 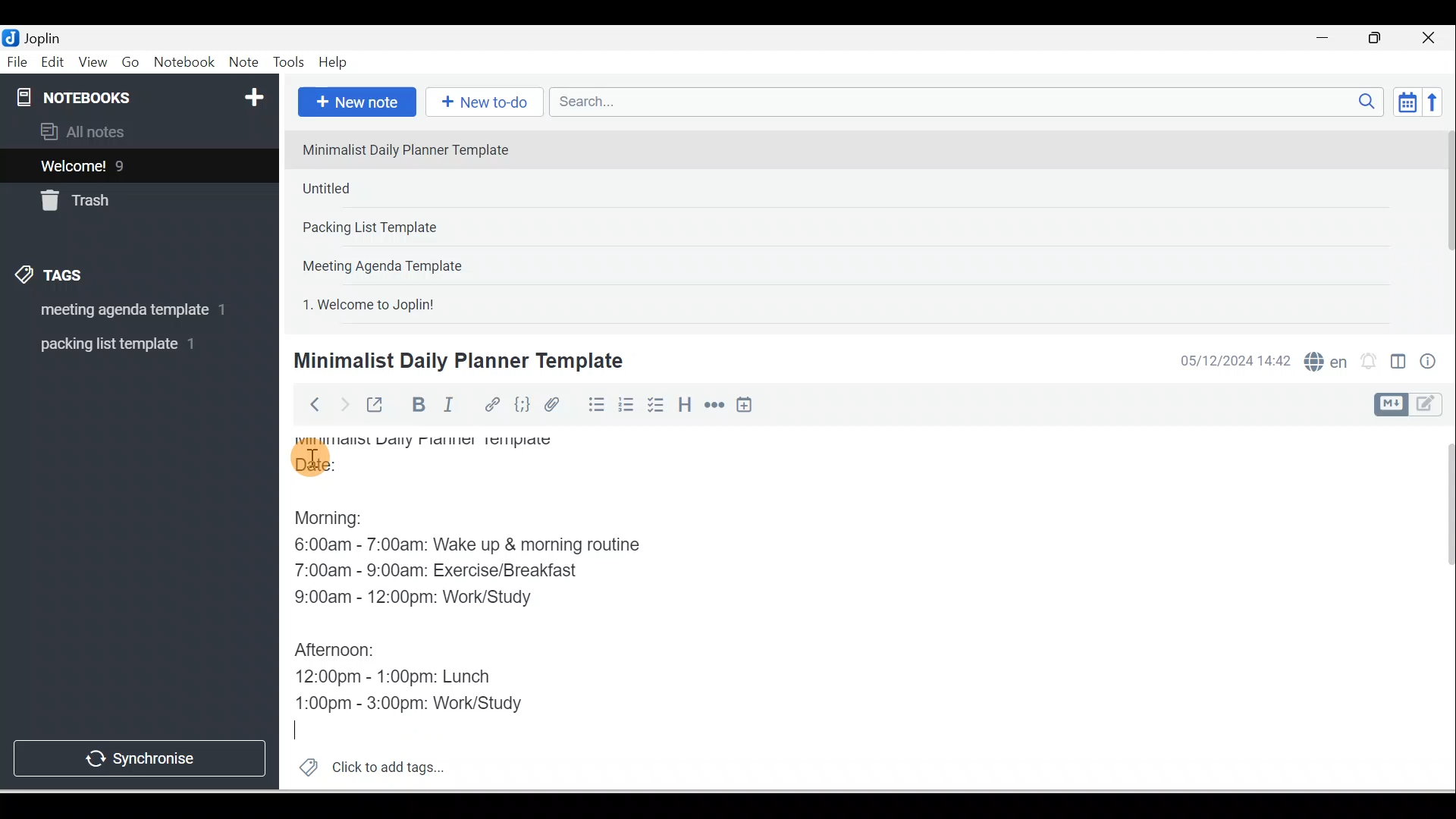 I want to click on Date & time, so click(x=1232, y=361).